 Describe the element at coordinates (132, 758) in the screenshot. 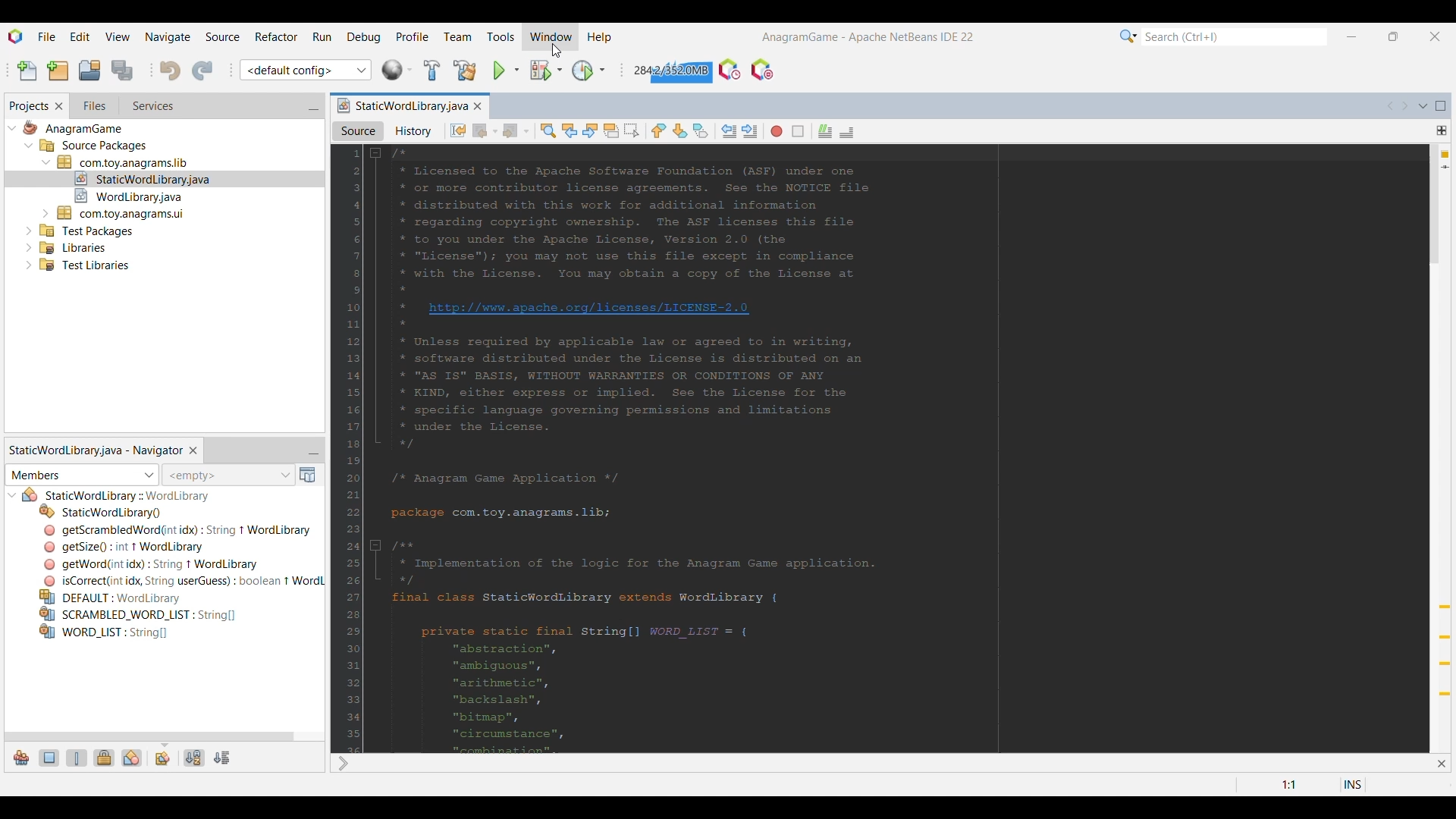

I see `Show inner classes` at that location.